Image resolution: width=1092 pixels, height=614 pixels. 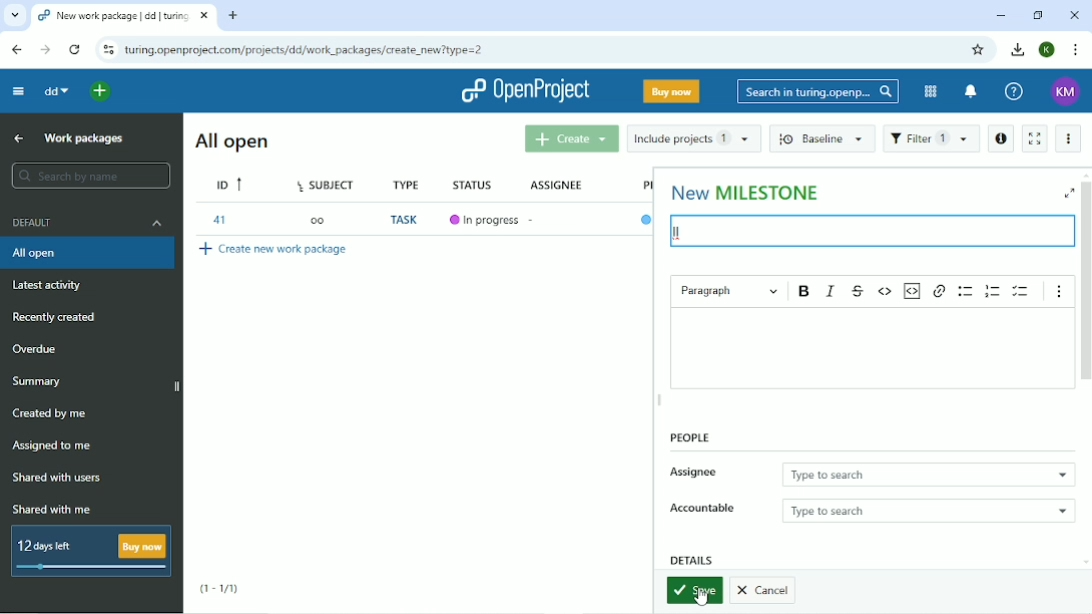 What do you see at coordinates (929, 92) in the screenshot?
I see `Modules` at bounding box center [929, 92].